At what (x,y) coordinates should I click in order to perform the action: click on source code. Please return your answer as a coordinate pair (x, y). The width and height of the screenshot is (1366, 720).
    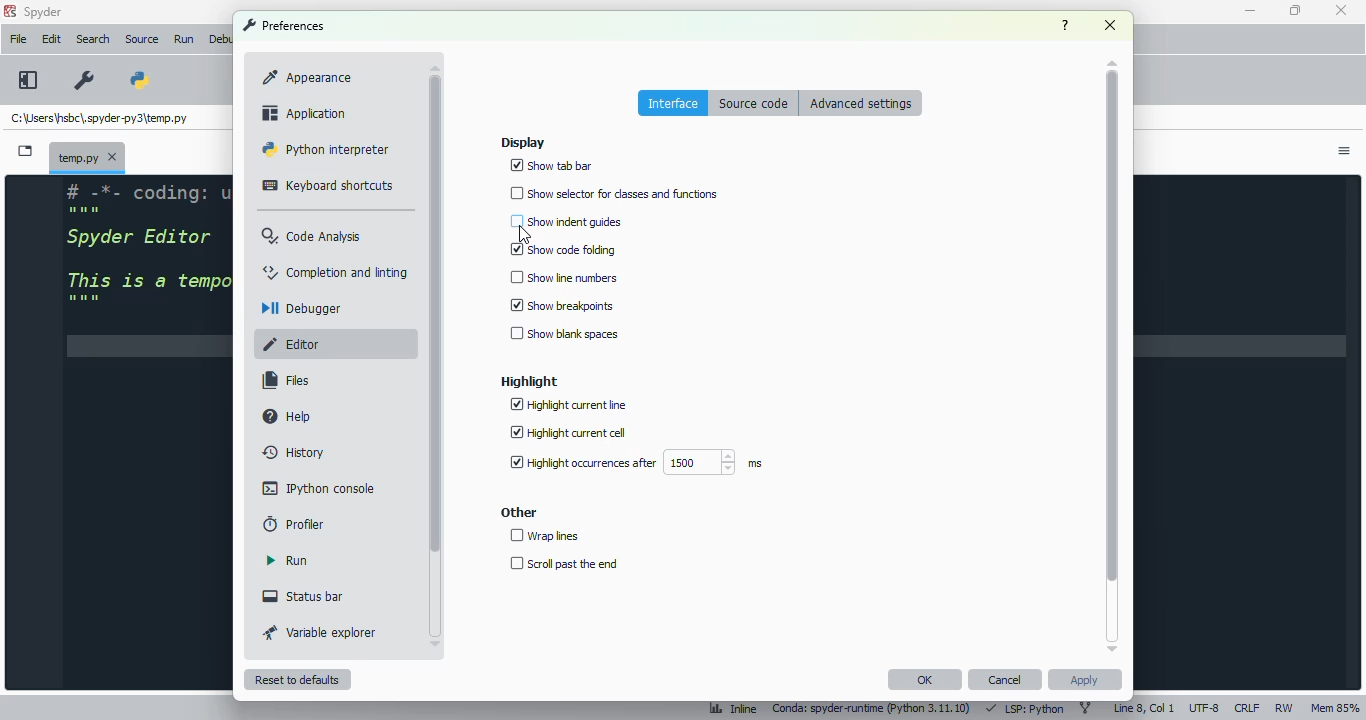
    Looking at the image, I should click on (755, 103).